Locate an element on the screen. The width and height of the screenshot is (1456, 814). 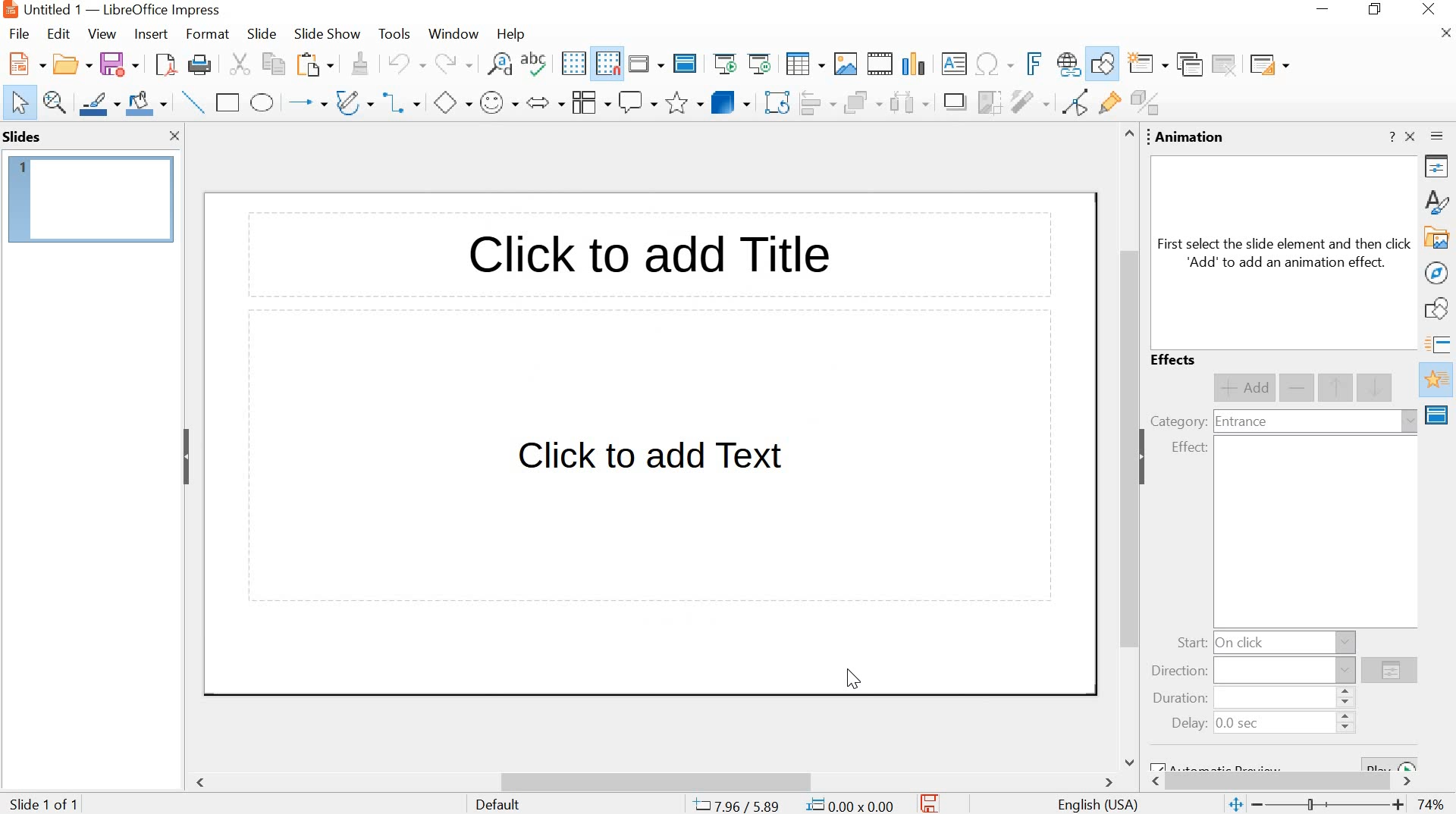
minimize is located at coordinates (1326, 11).